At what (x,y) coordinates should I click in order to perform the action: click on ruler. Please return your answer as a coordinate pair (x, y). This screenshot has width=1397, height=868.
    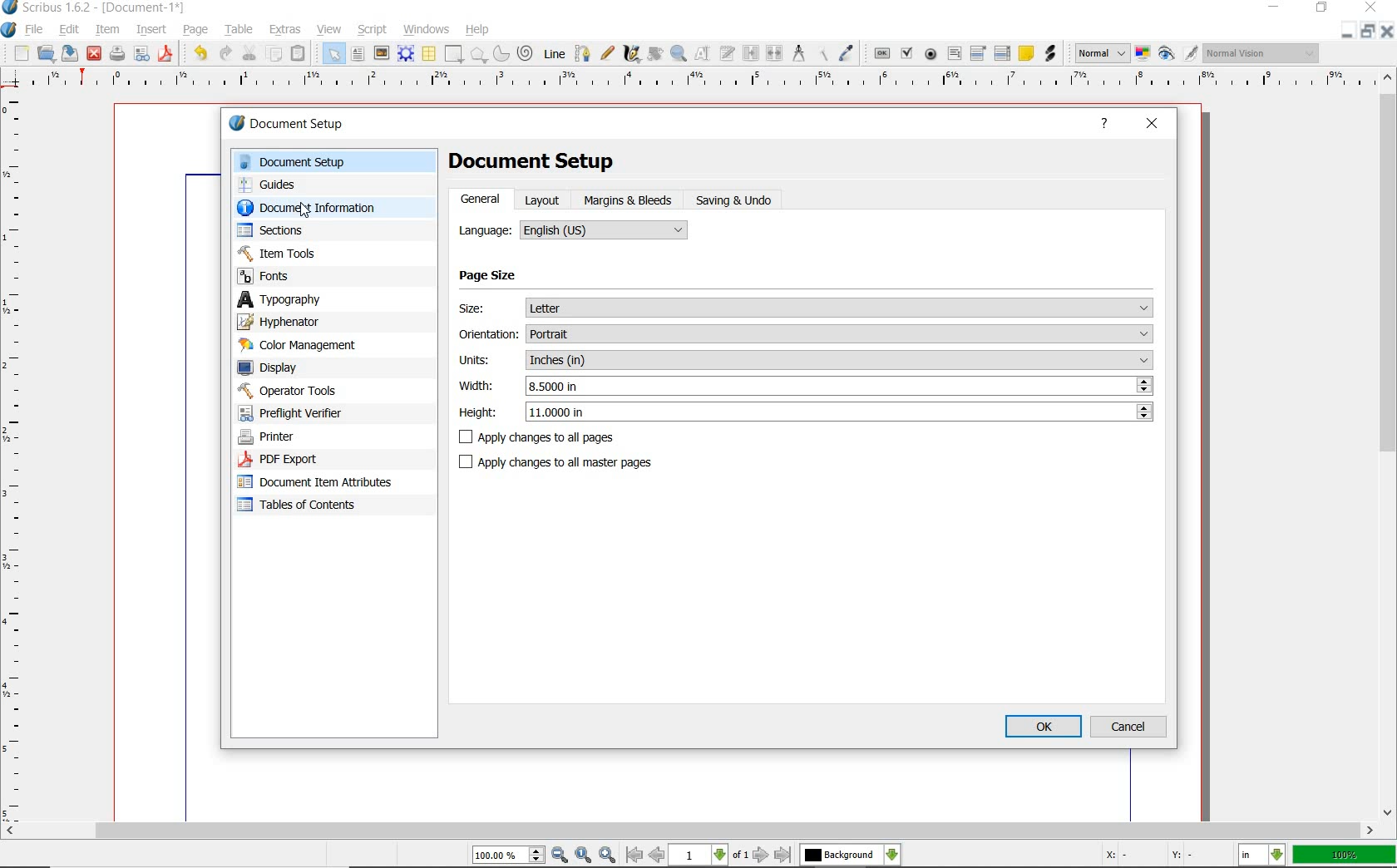
    Looking at the image, I should click on (17, 456).